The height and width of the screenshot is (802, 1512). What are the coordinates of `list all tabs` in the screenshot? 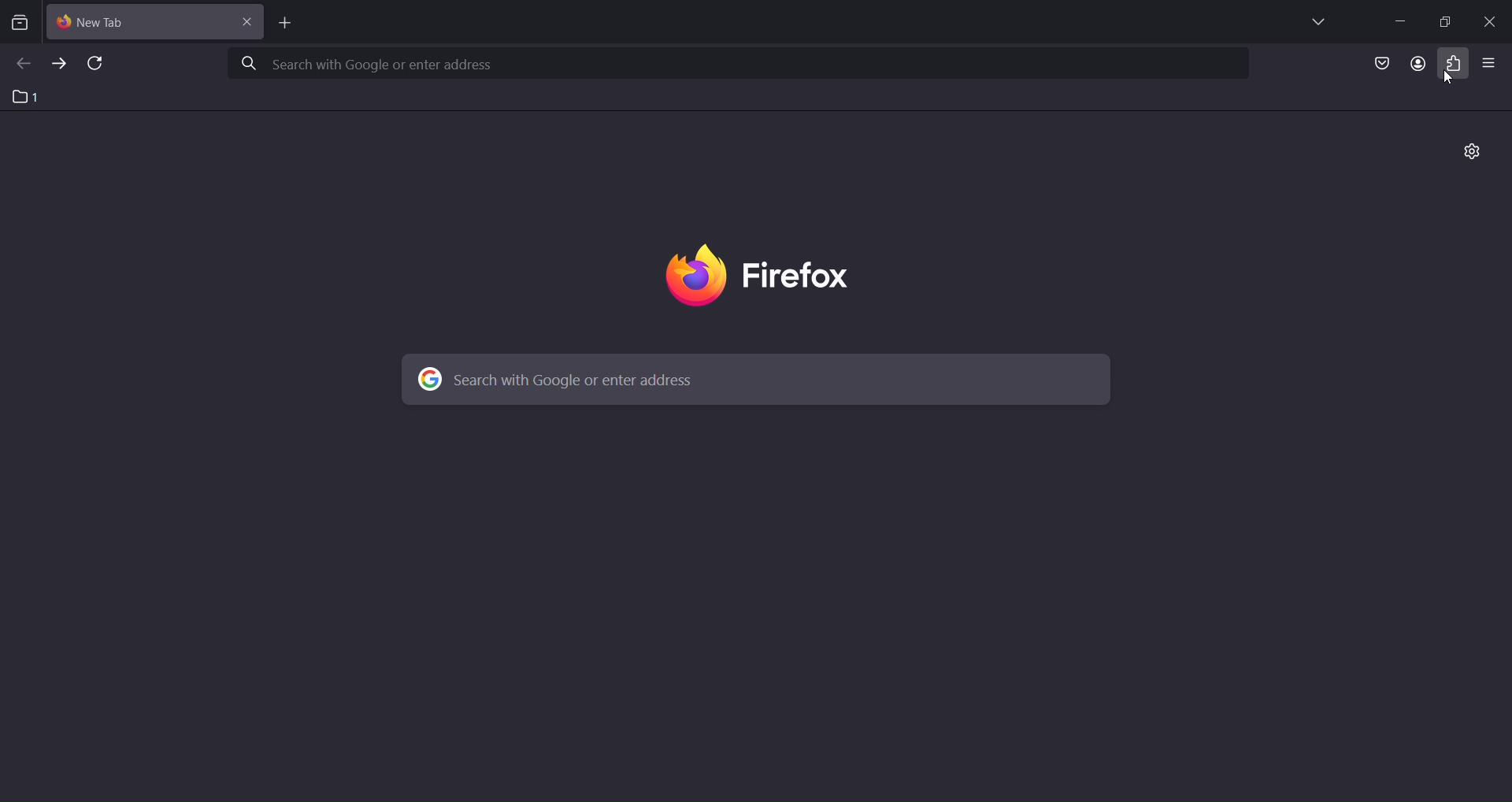 It's located at (1314, 20).